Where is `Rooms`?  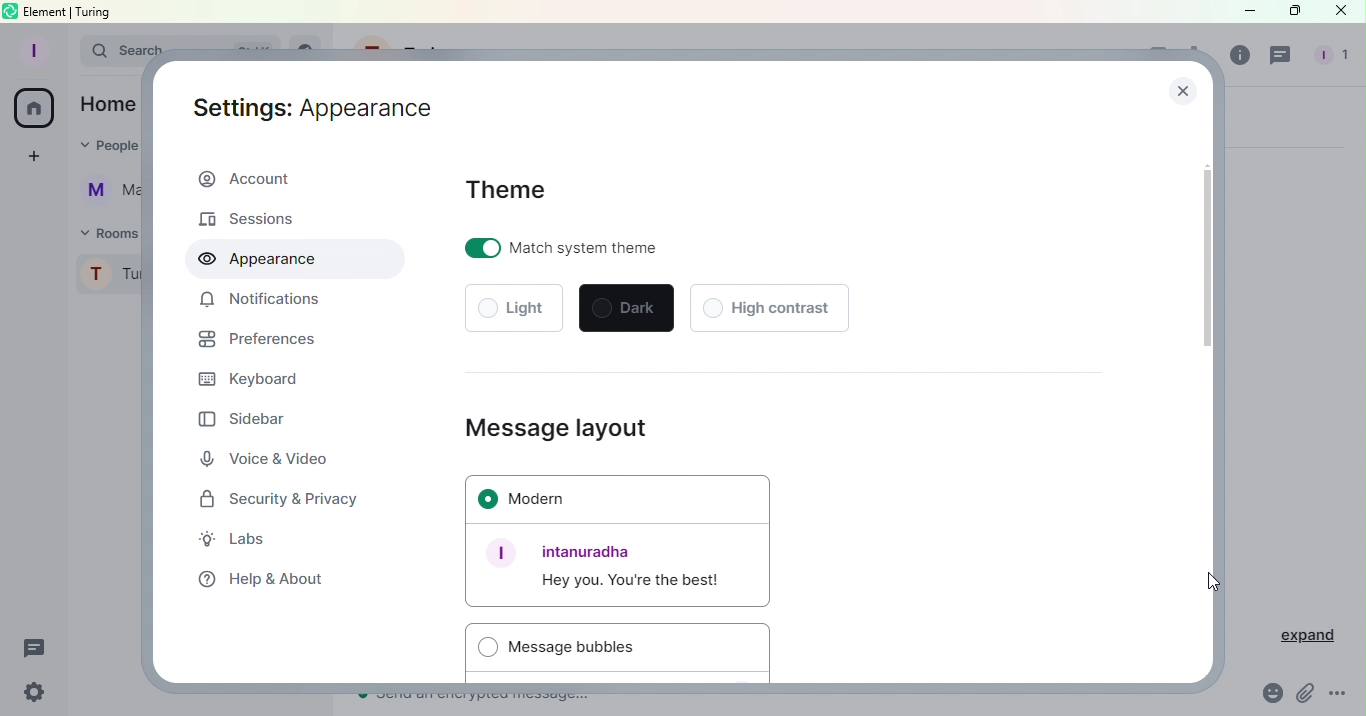
Rooms is located at coordinates (113, 233).